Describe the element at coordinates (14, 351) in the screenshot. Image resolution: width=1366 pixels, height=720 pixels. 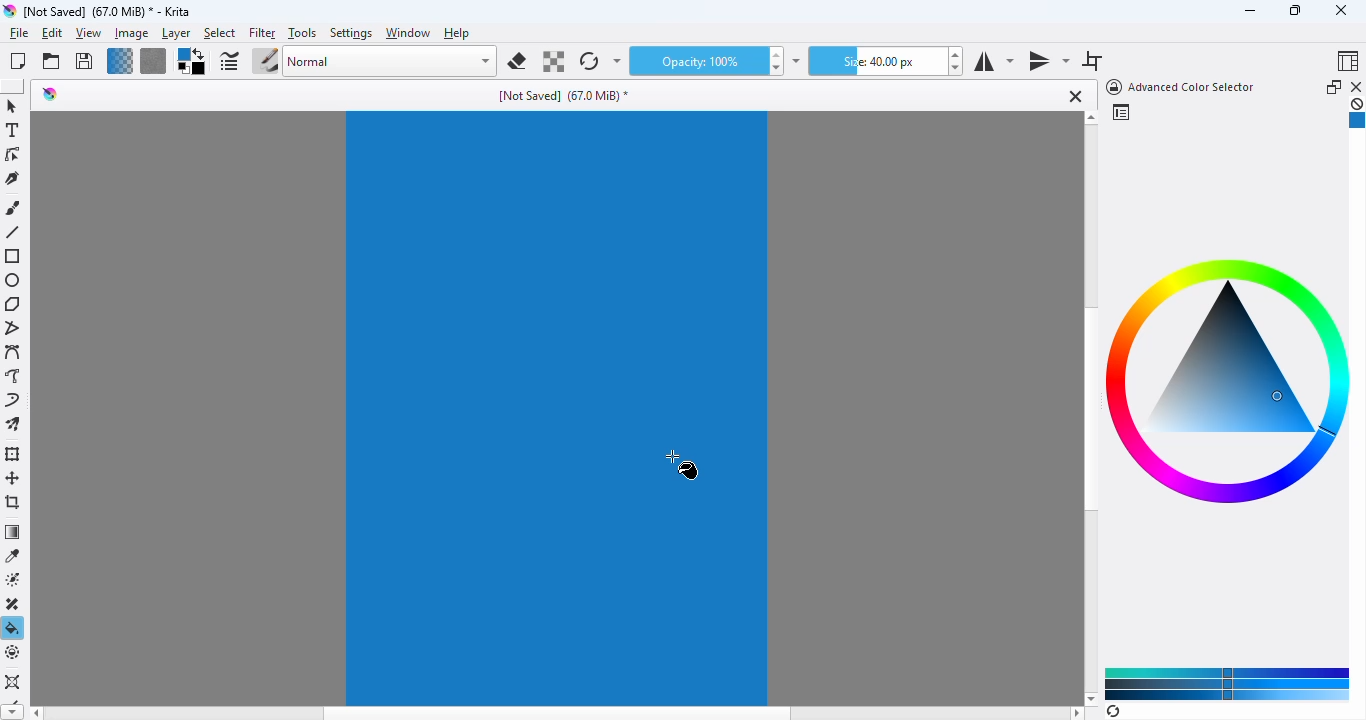
I see `bezier curve tool` at that location.